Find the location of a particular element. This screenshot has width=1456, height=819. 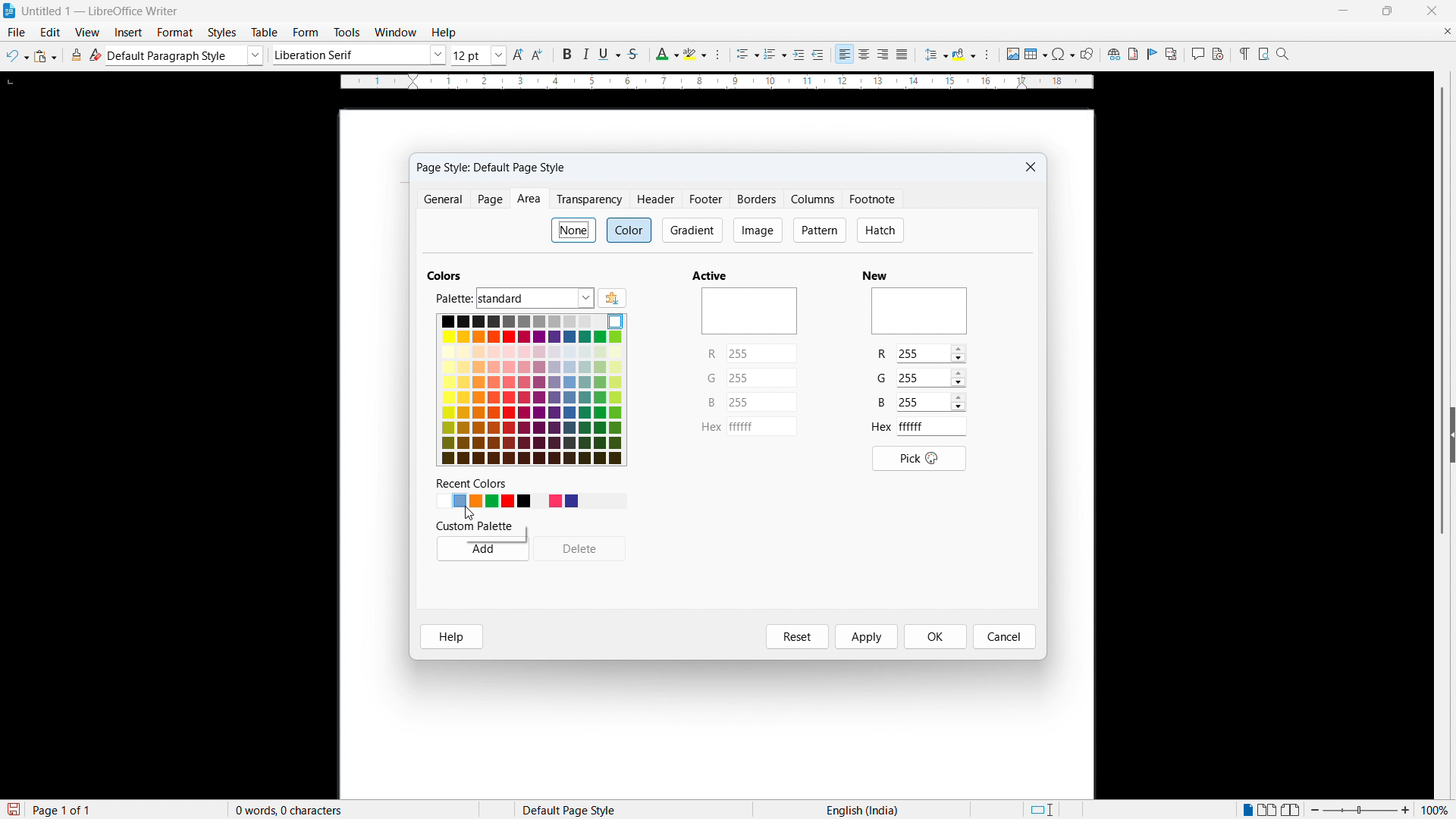

G is located at coordinates (711, 378).